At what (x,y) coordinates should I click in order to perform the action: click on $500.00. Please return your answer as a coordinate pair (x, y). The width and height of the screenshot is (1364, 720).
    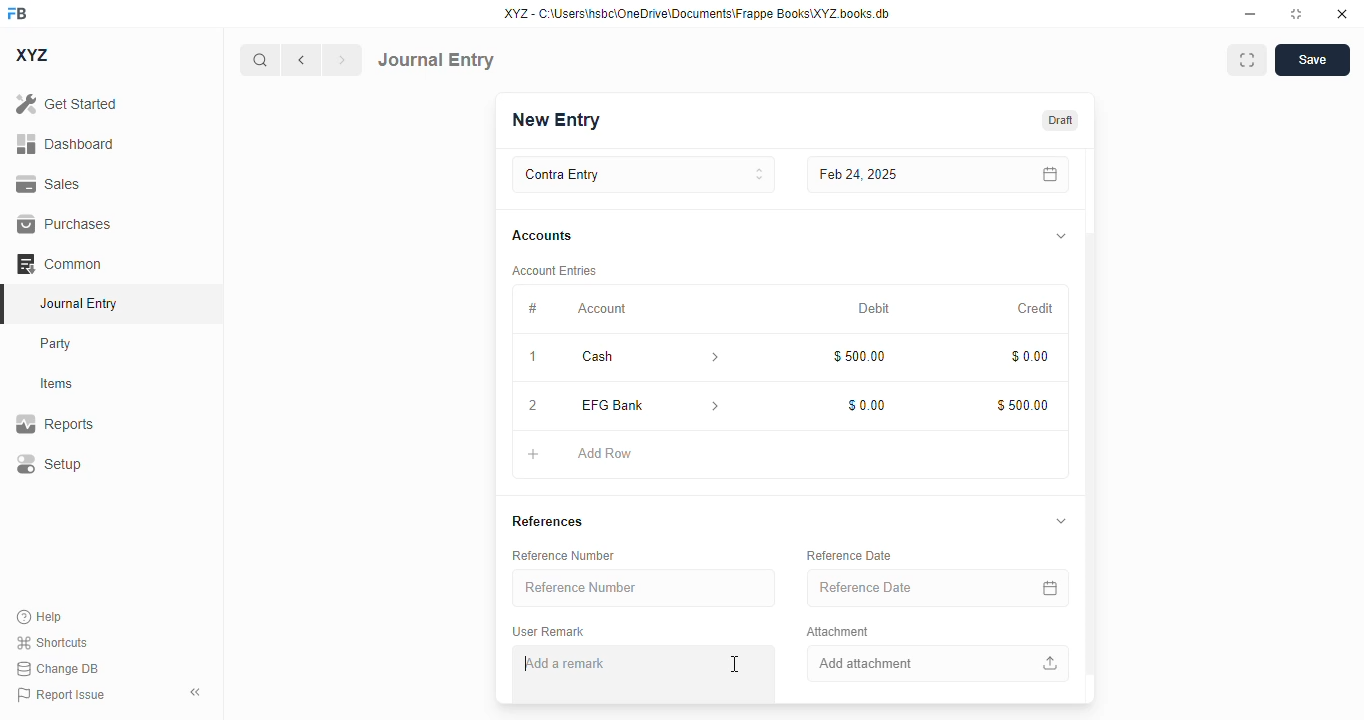
    Looking at the image, I should click on (1021, 403).